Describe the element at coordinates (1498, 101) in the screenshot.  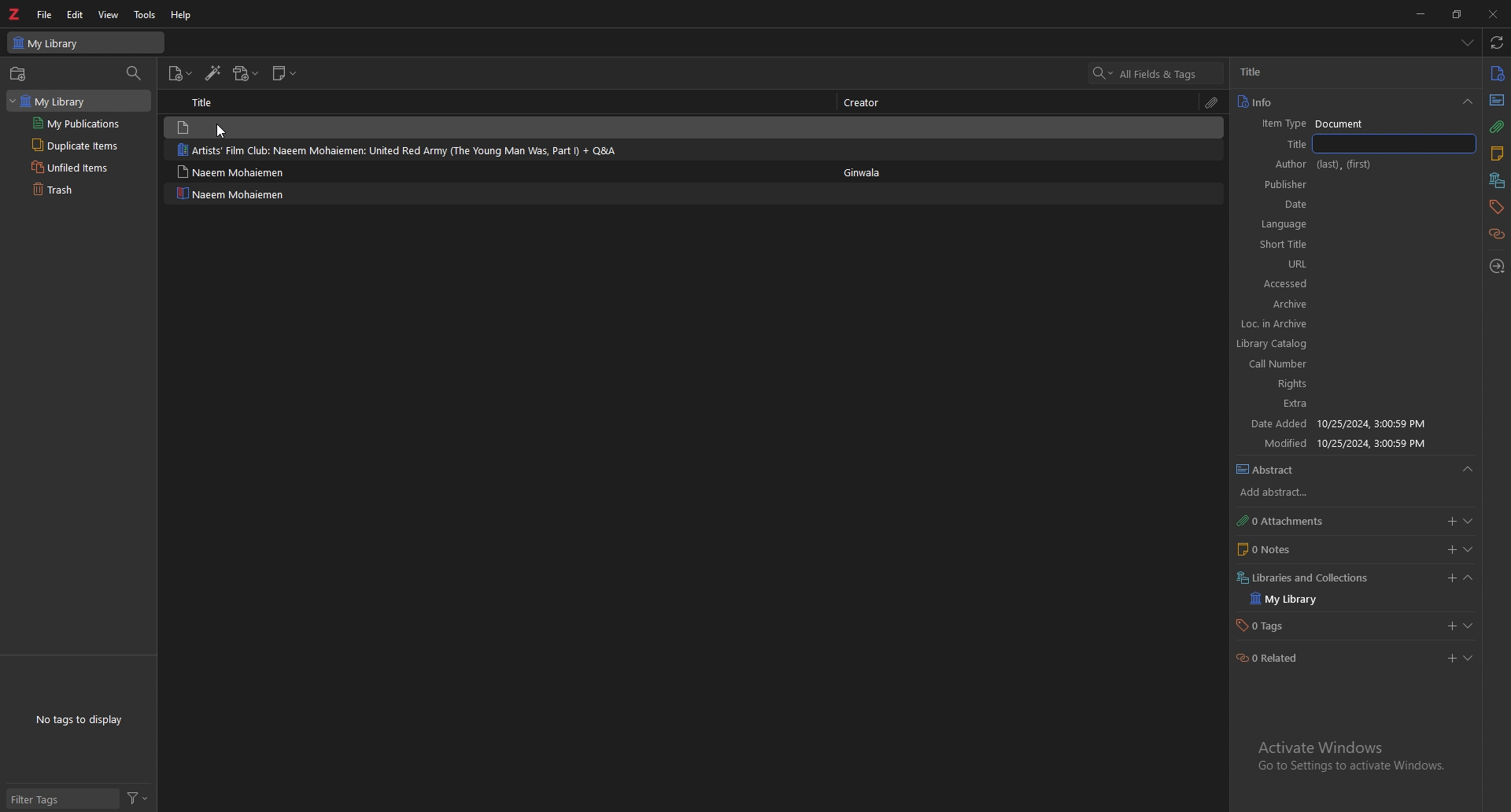
I see `Type` at that location.